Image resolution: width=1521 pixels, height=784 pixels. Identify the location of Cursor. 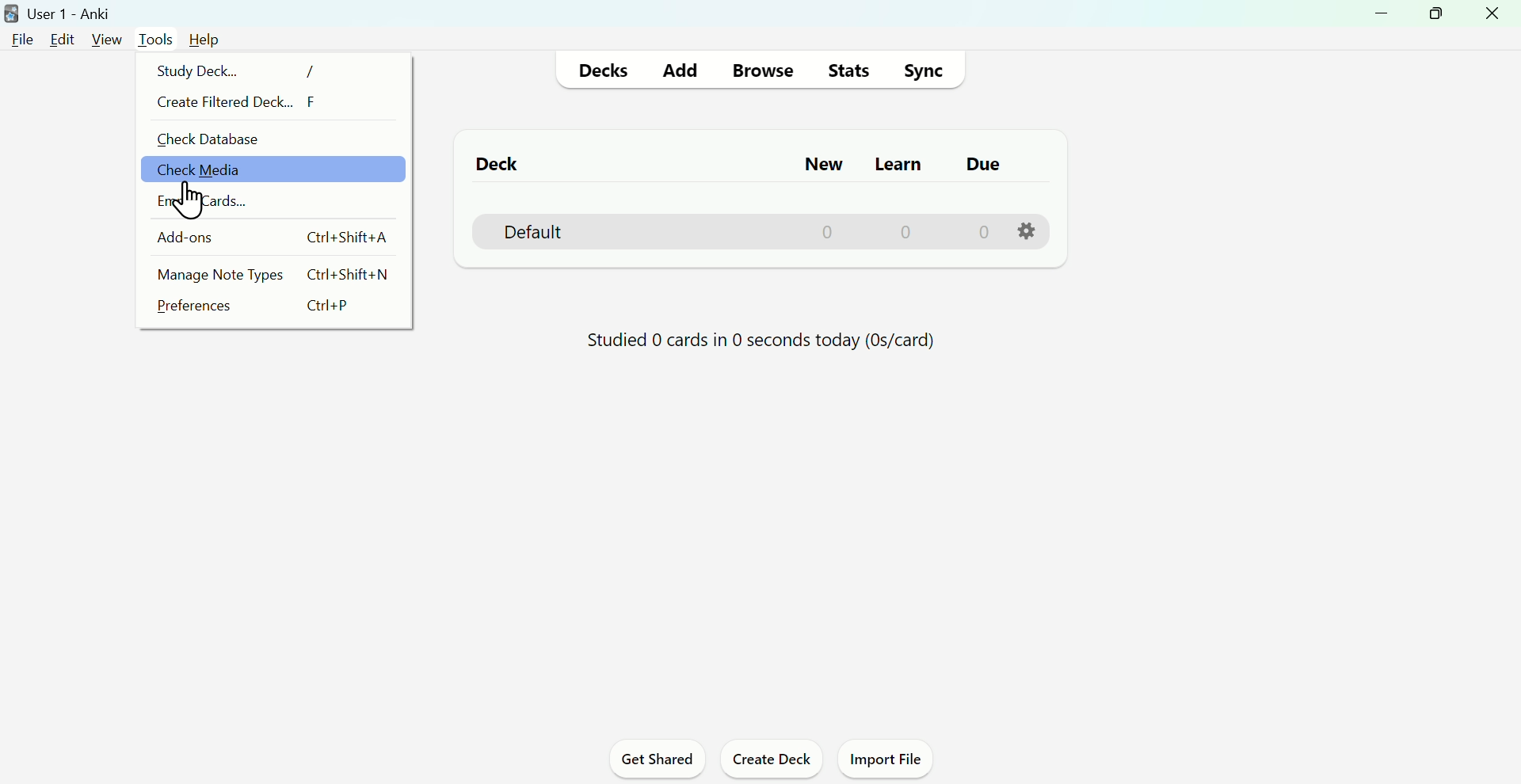
(190, 200).